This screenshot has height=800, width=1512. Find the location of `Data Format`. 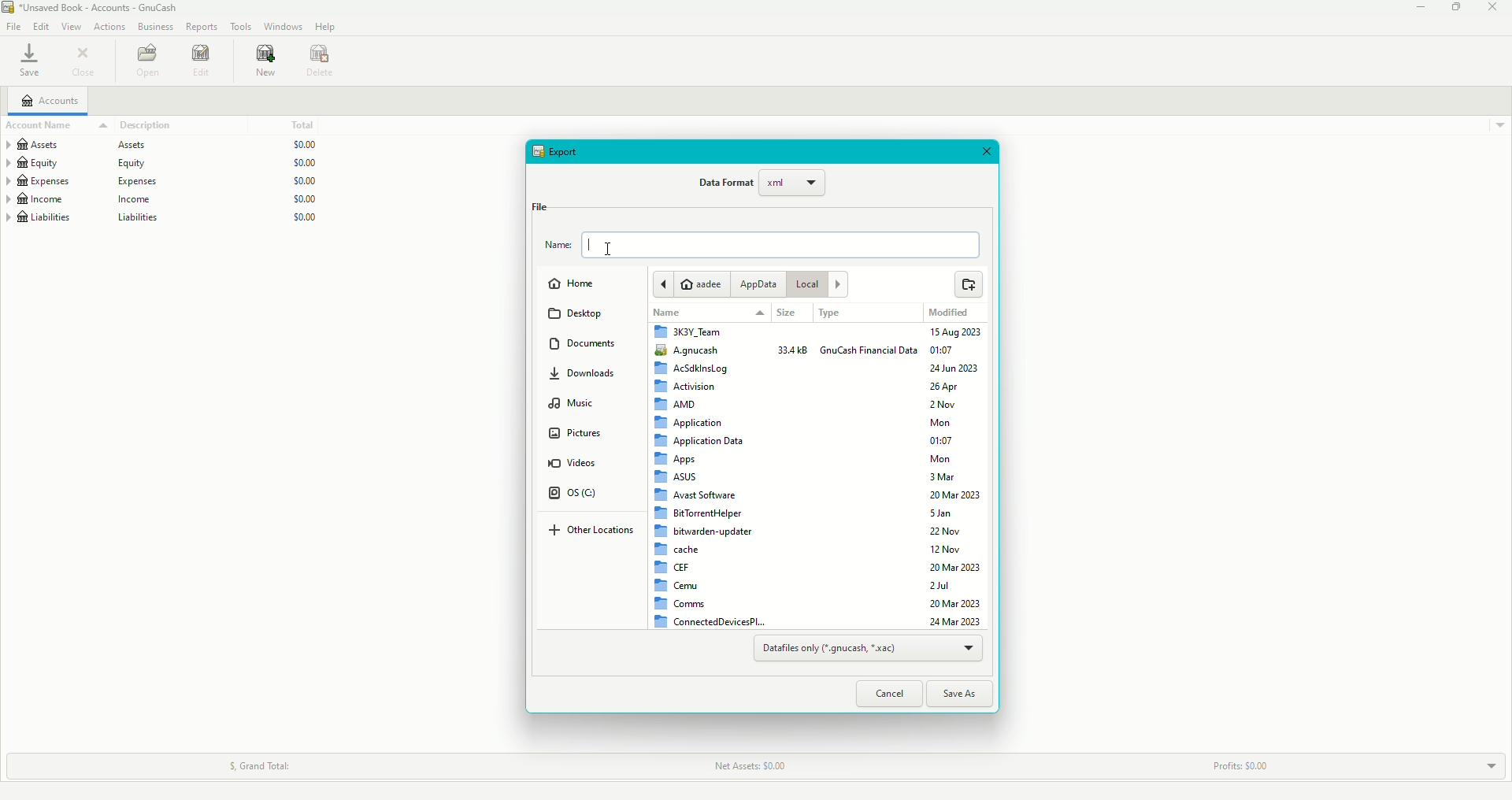

Data Format is located at coordinates (762, 187).